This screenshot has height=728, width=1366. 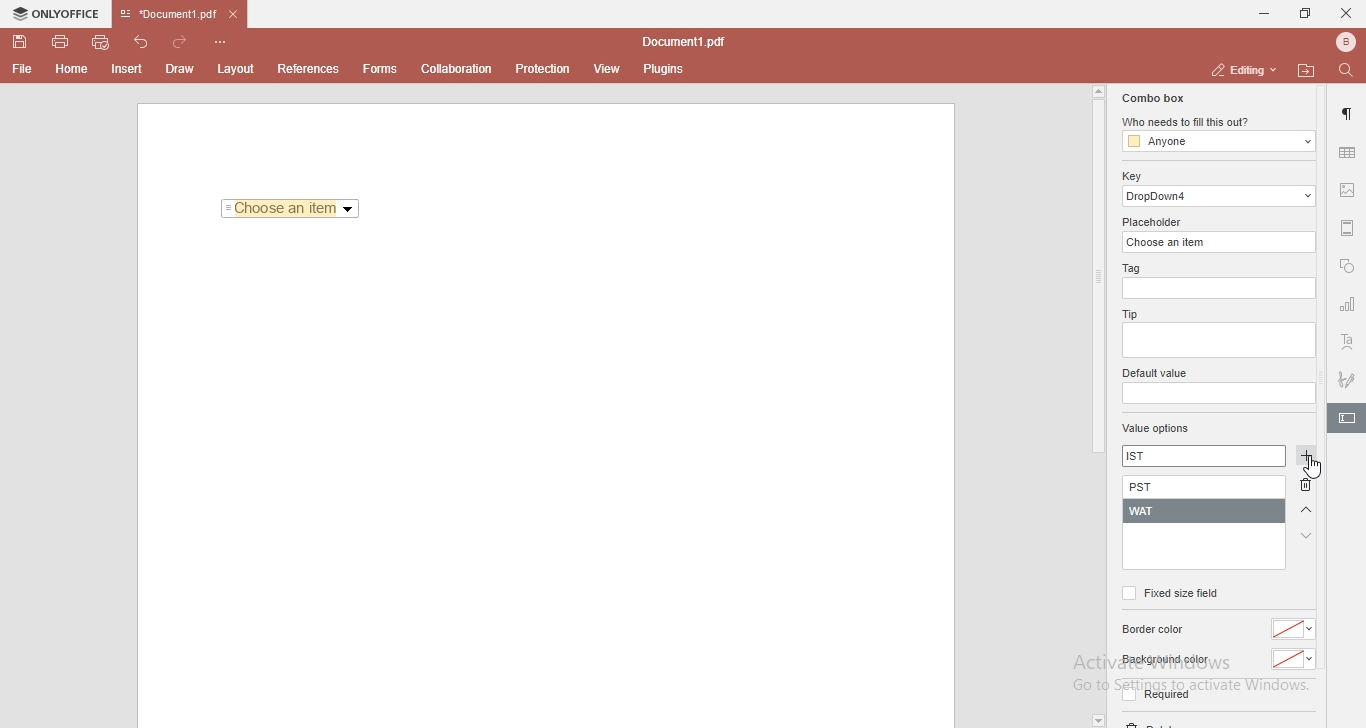 I want to click on margin, so click(x=1348, y=226).